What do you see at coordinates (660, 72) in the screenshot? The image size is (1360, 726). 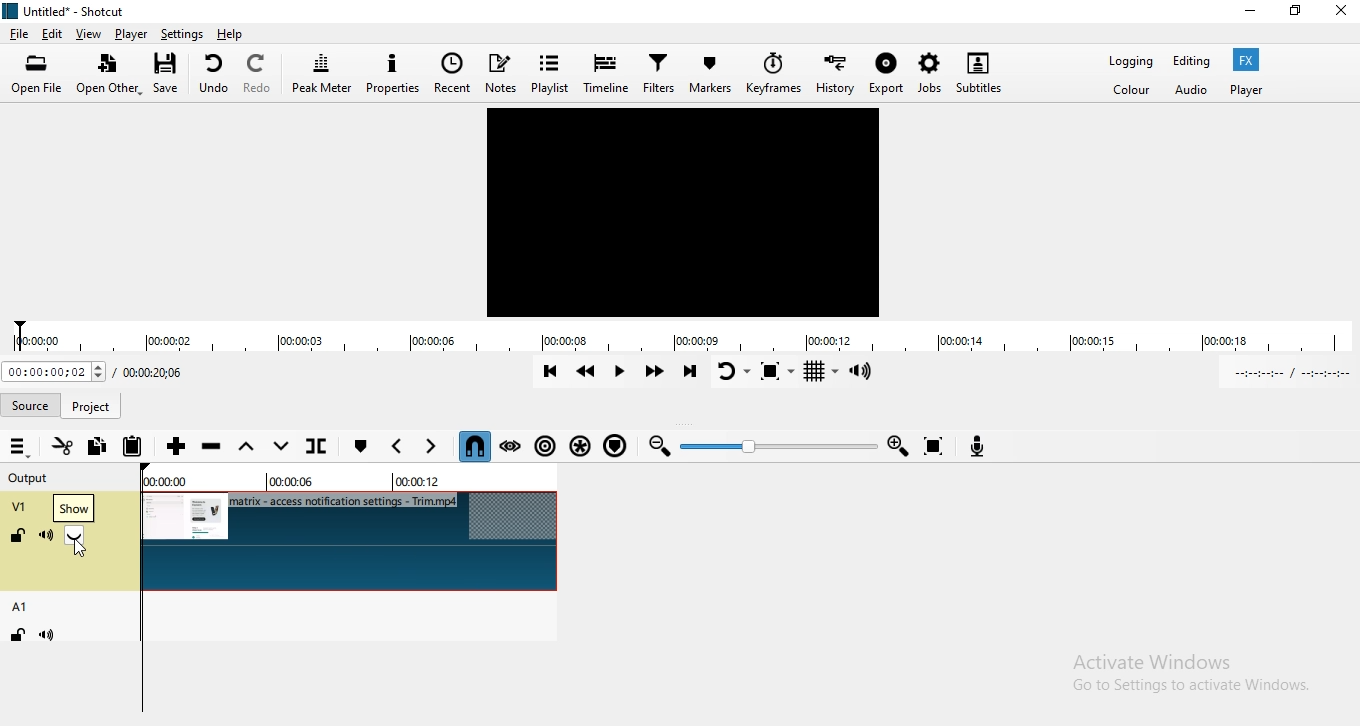 I see `Filters` at bounding box center [660, 72].